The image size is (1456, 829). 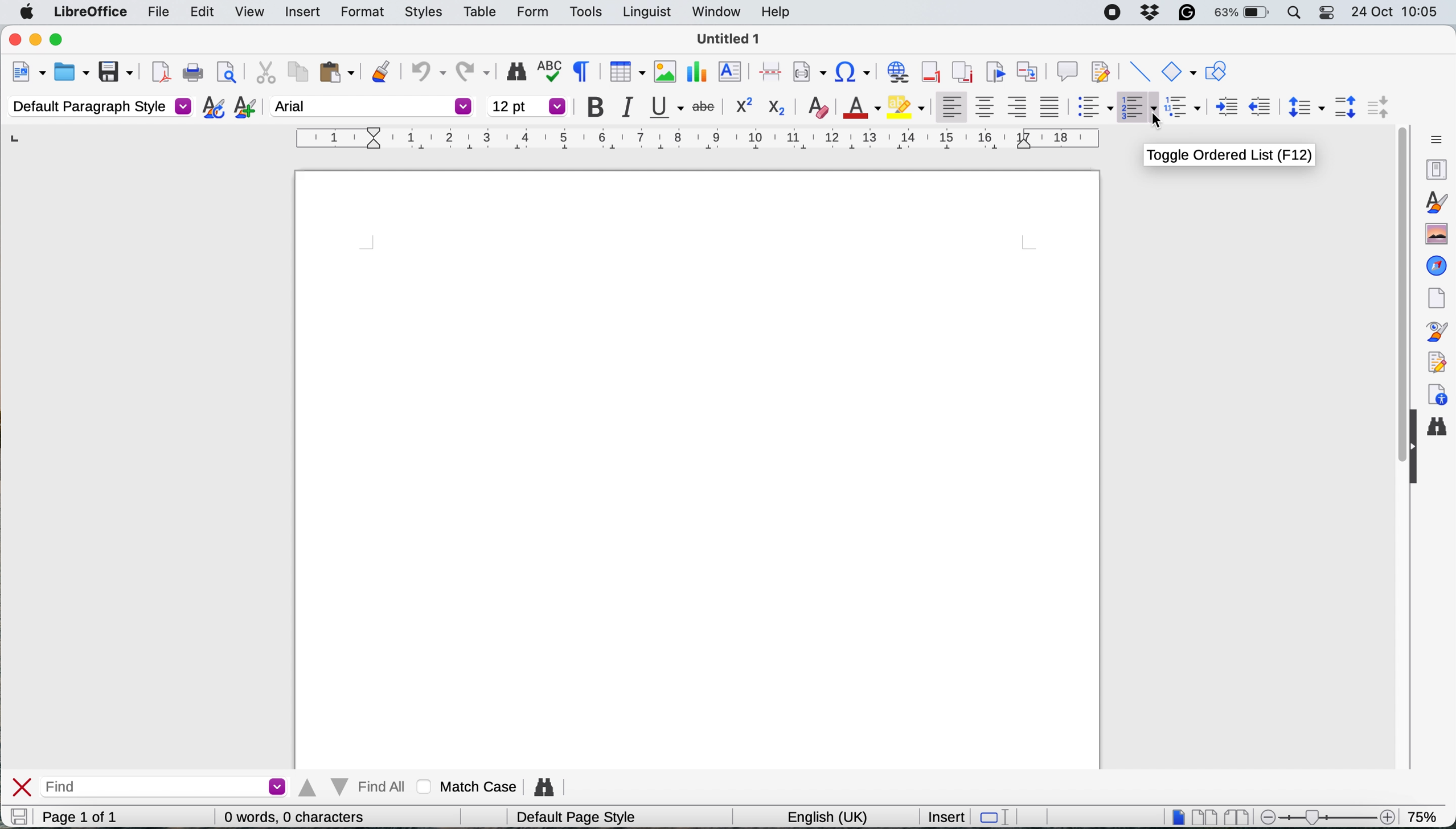 What do you see at coordinates (27, 12) in the screenshot?
I see `system logo` at bounding box center [27, 12].